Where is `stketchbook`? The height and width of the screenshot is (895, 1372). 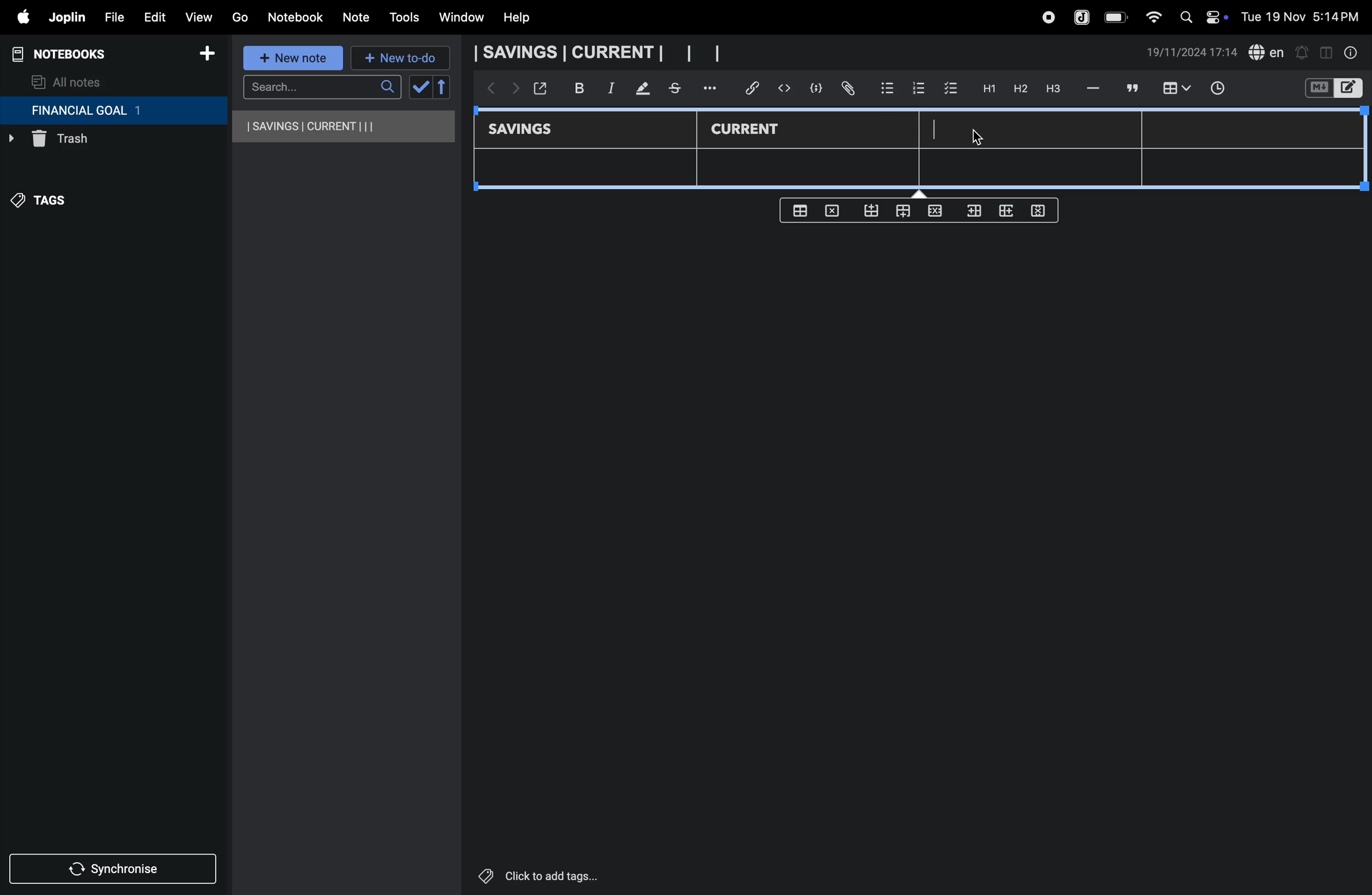 stketchbook is located at coordinates (676, 90).